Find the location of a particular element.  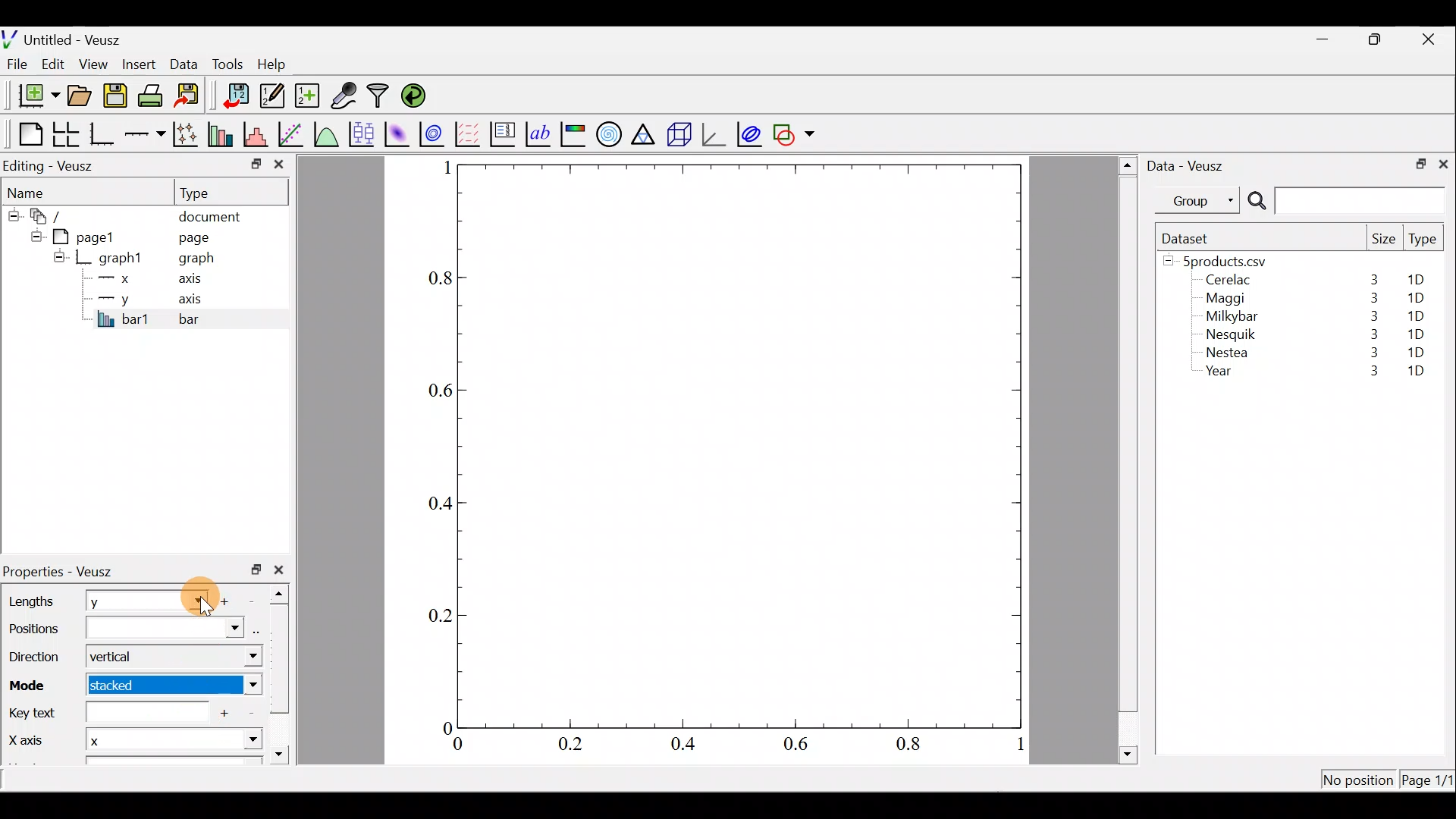

Size is located at coordinates (1383, 240).